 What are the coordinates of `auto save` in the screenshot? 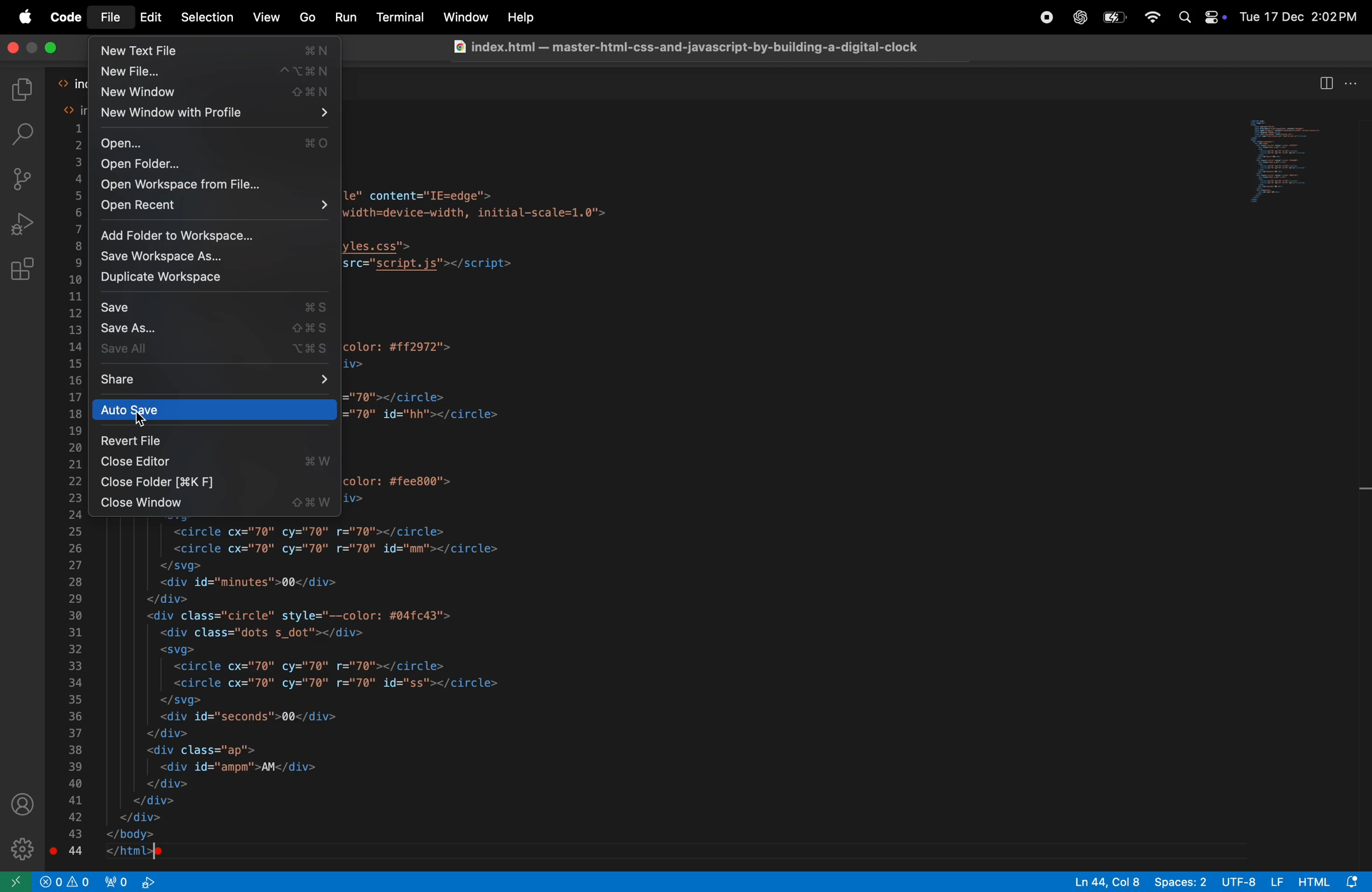 It's located at (214, 410).